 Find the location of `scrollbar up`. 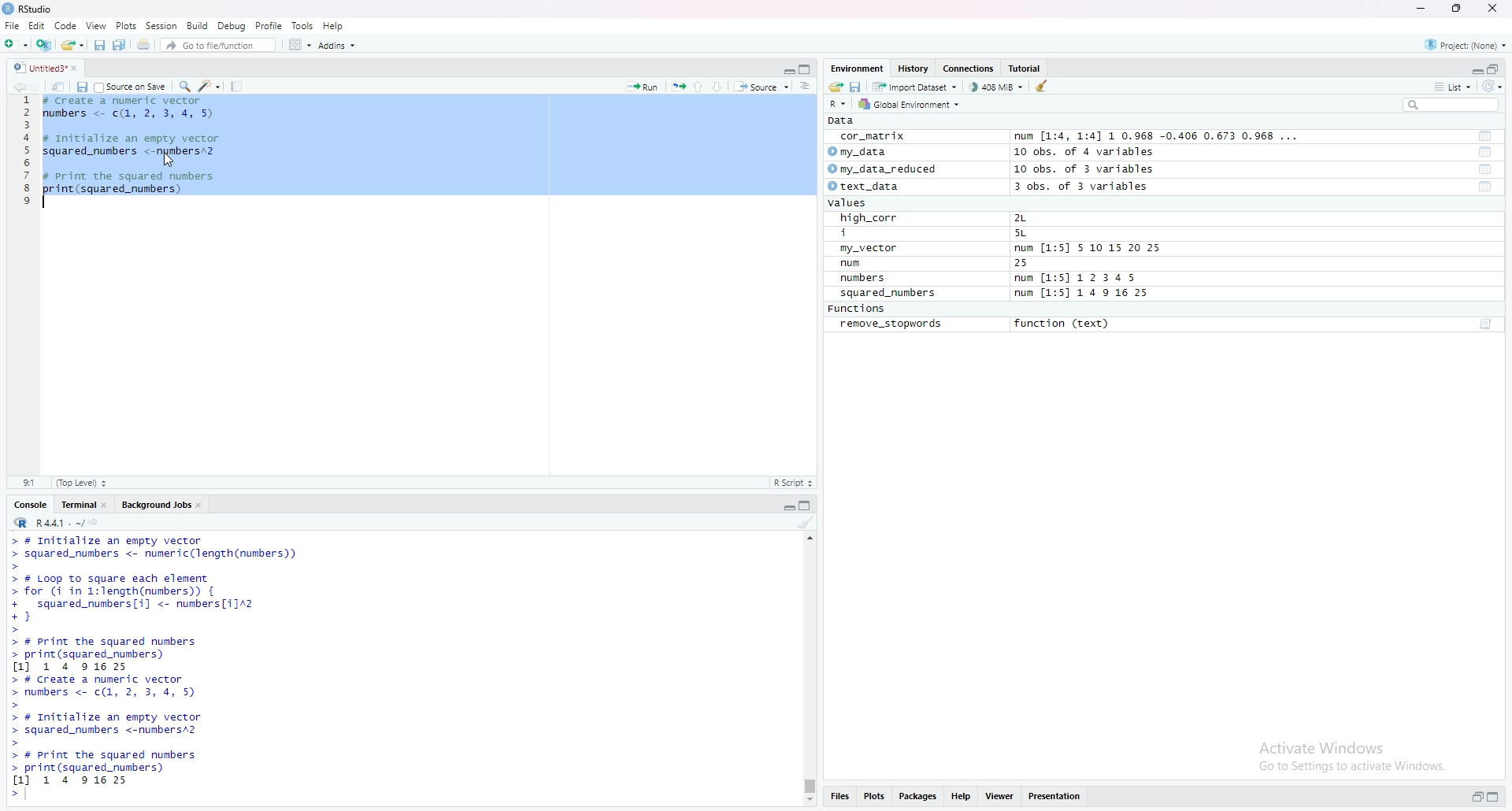

scrollbar up is located at coordinates (808, 536).